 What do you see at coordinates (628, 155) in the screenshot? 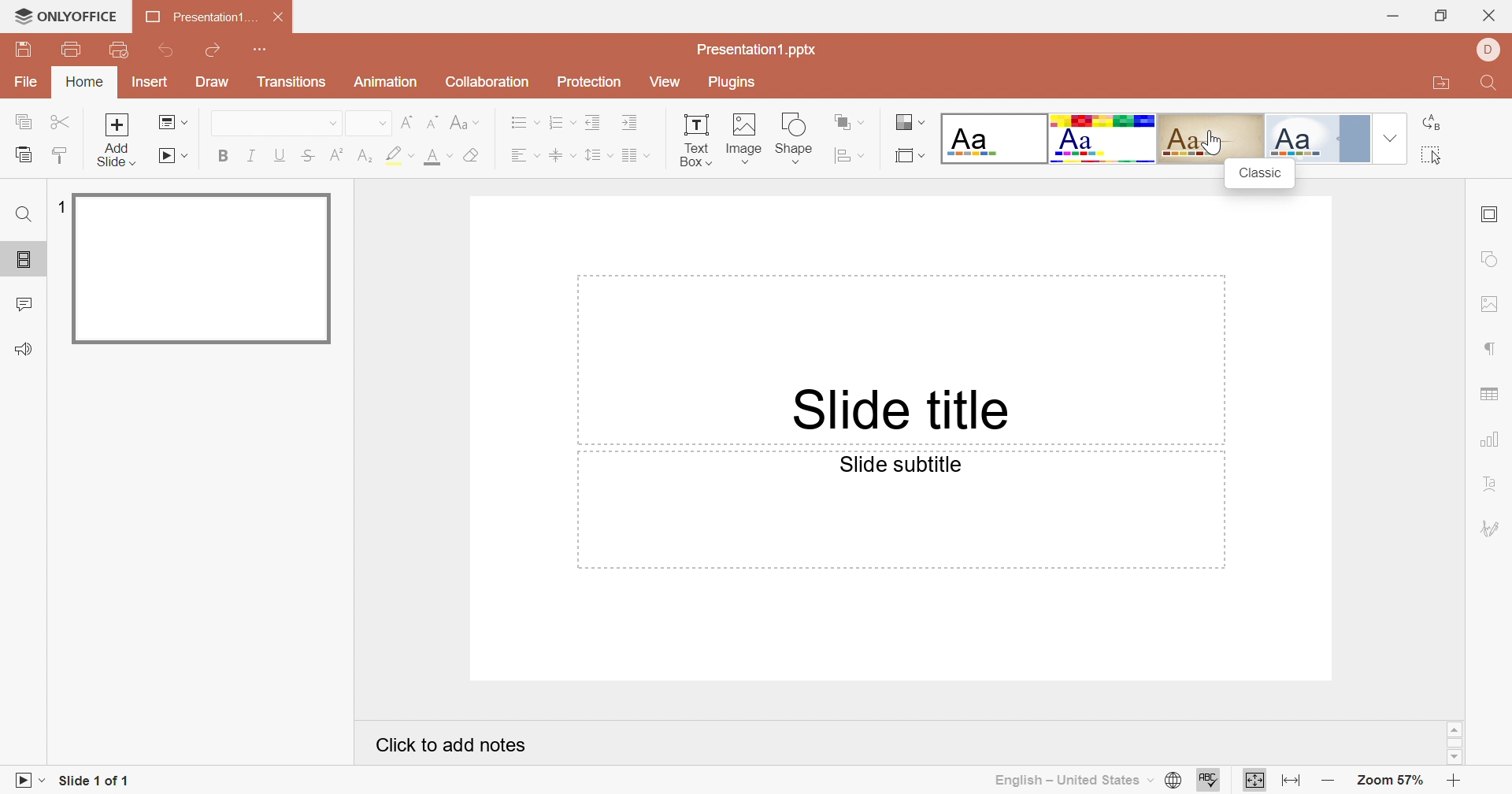
I see `Insert Column` at bounding box center [628, 155].